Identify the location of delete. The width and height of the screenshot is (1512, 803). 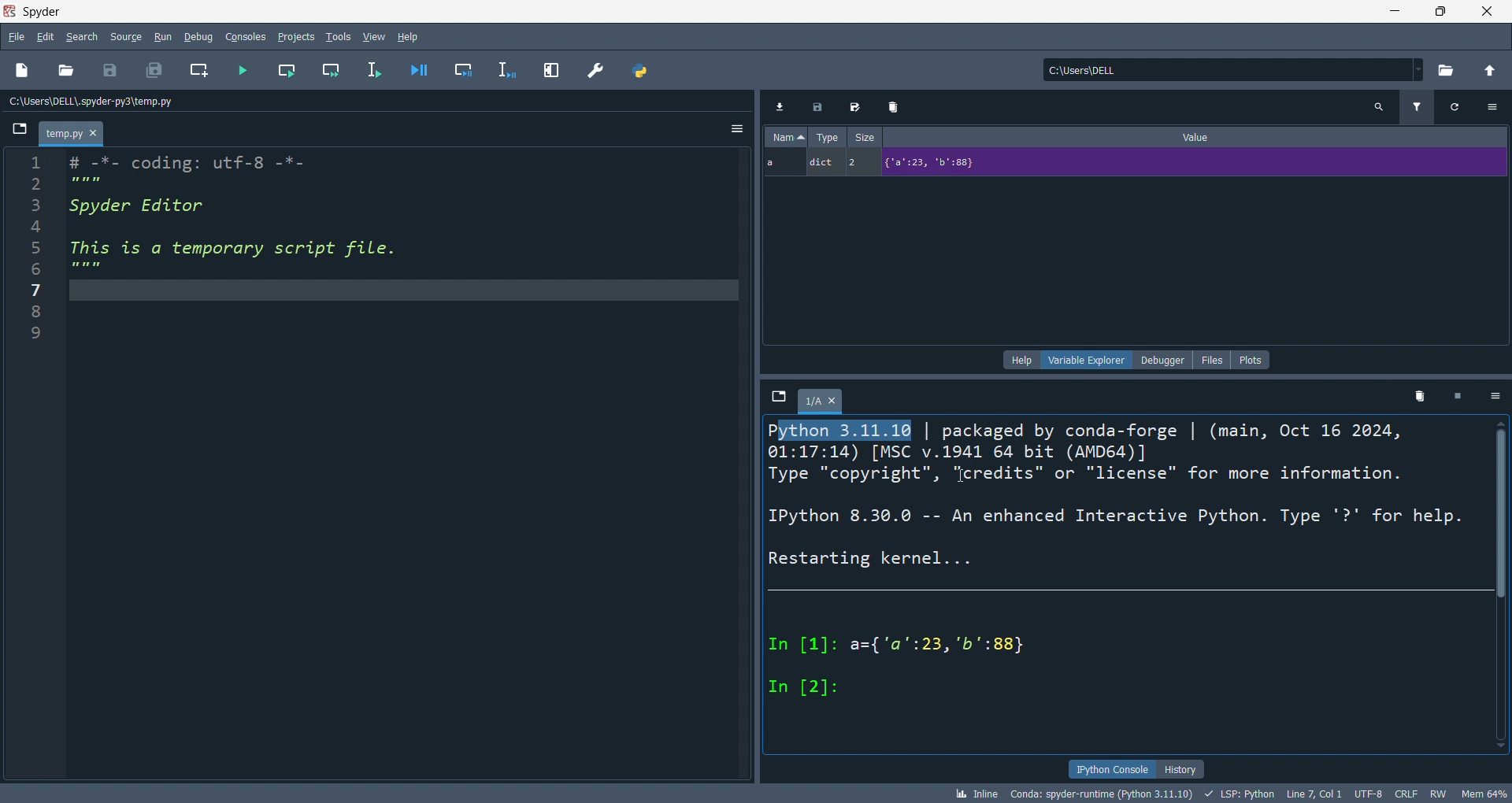
(897, 105).